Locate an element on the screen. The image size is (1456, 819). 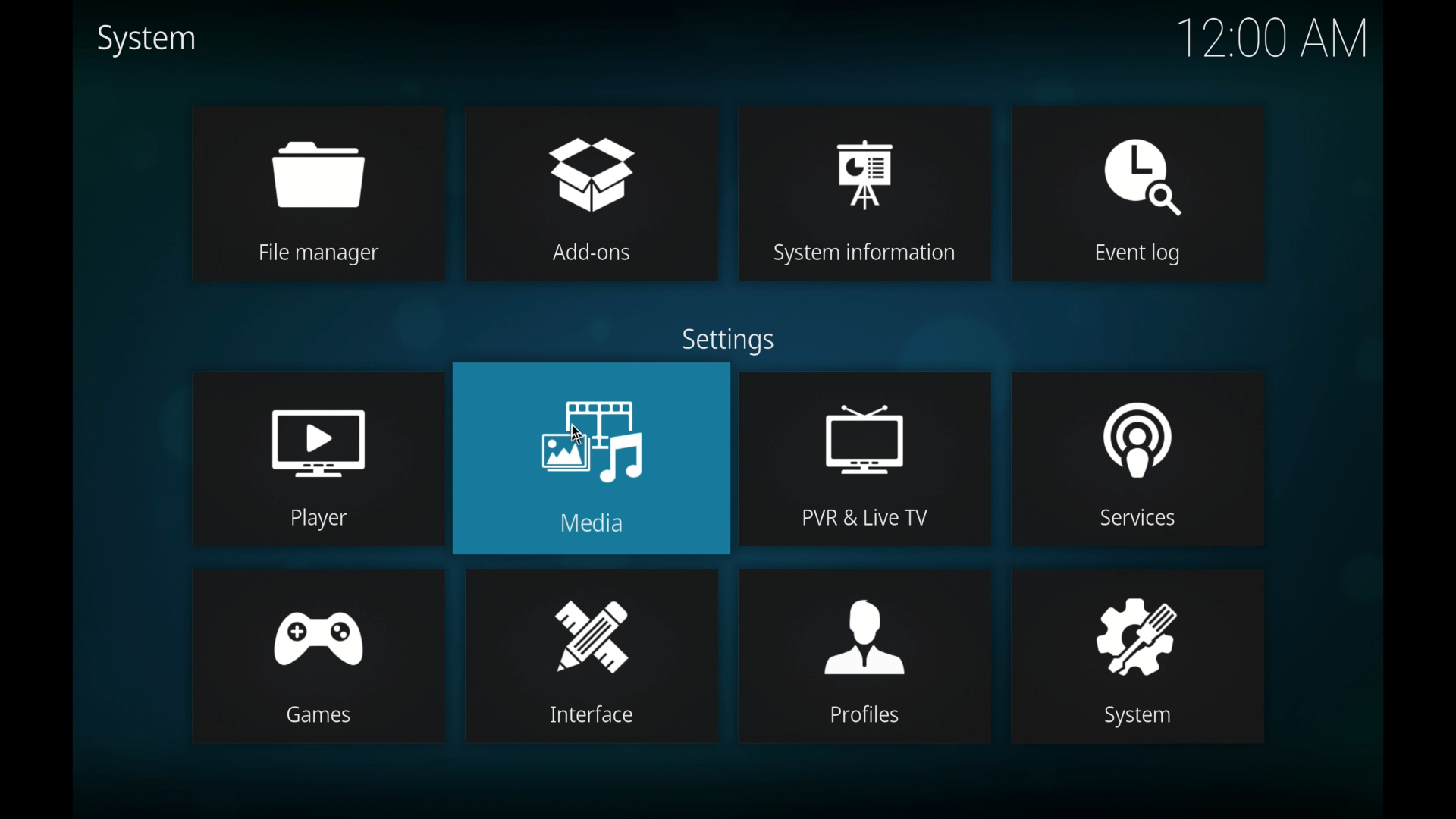
system is located at coordinates (146, 39).